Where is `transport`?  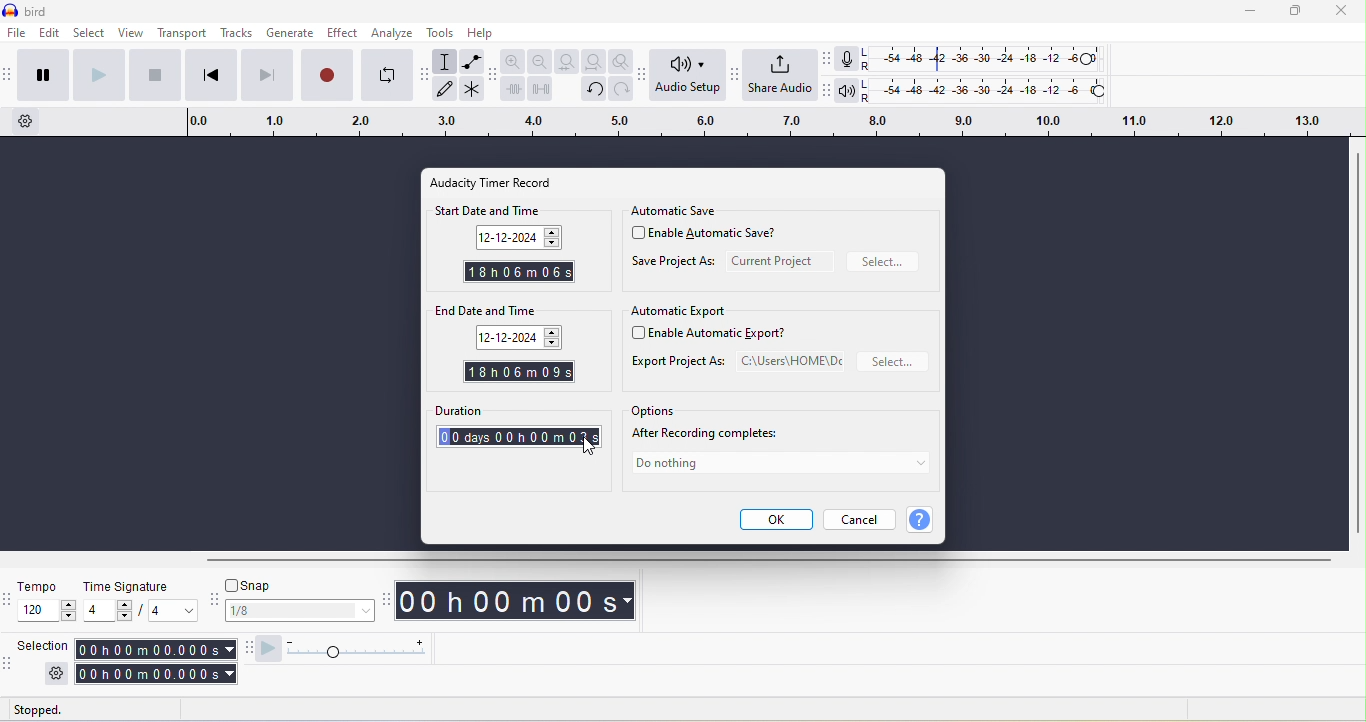 transport is located at coordinates (183, 34).